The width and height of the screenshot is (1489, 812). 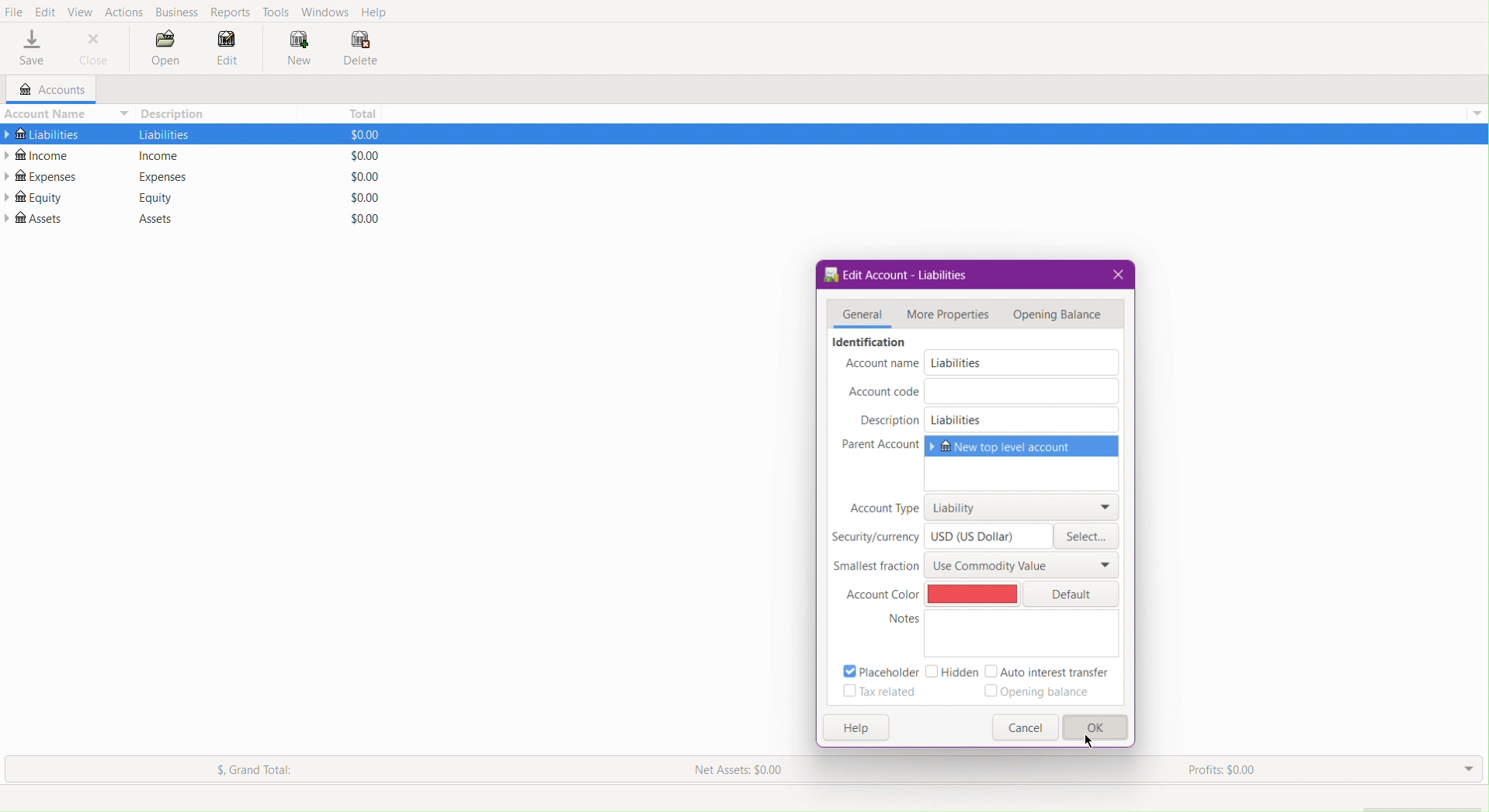 I want to click on Select, so click(x=1088, y=538).